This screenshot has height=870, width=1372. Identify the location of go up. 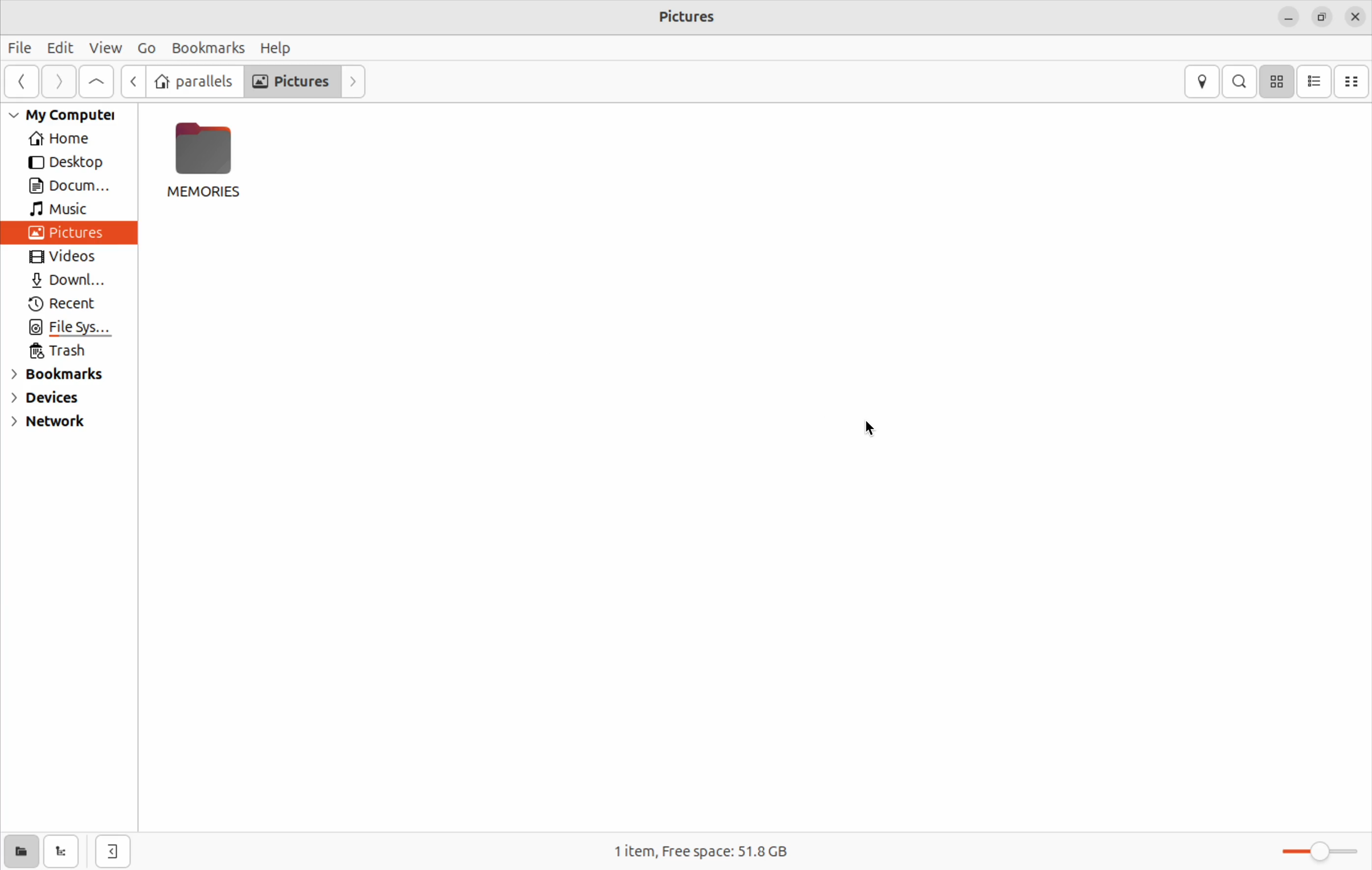
(98, 80).